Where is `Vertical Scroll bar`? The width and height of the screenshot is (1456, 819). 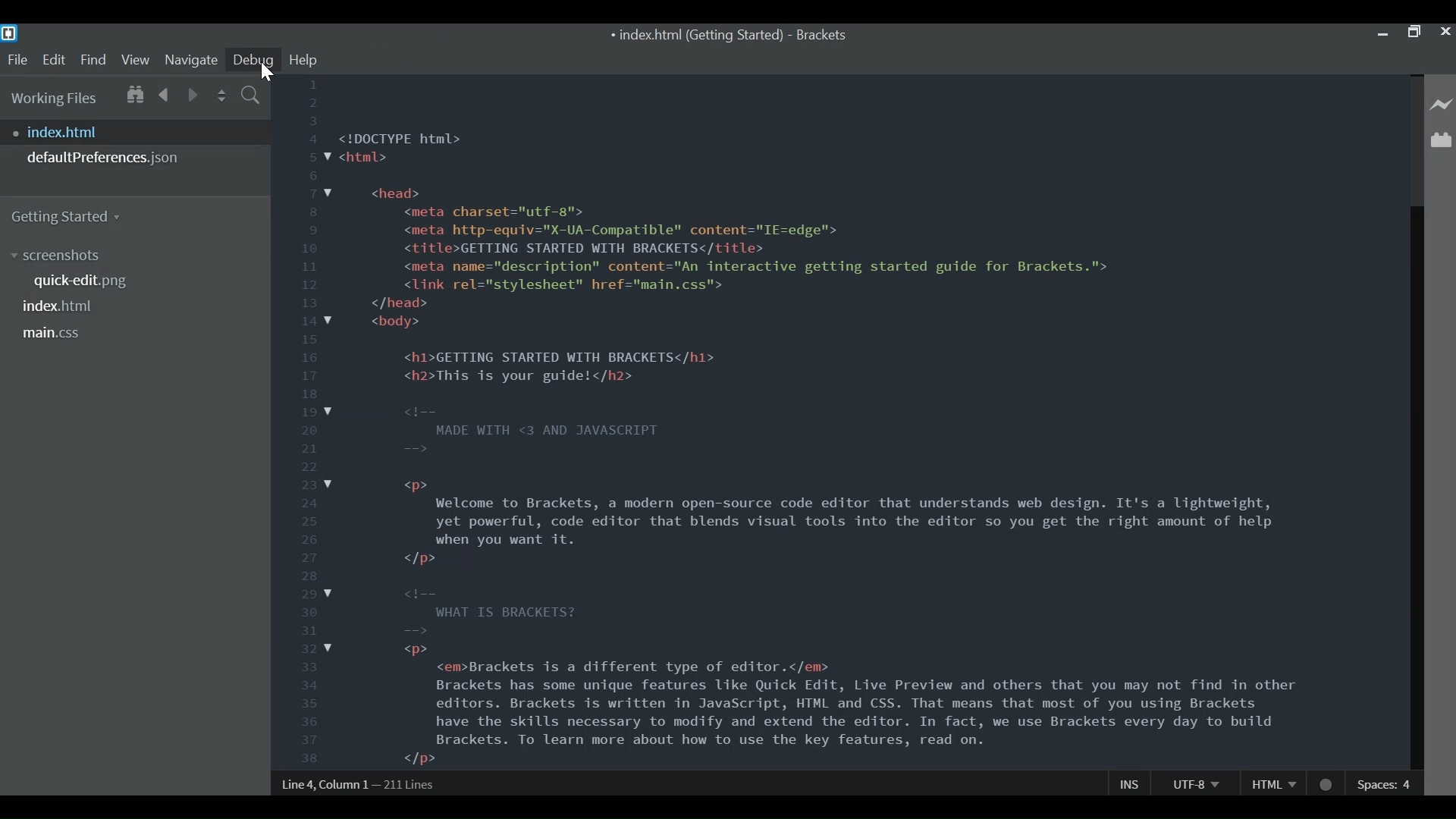 Vertical Scroll bar is located at coordinates (1414, 488).